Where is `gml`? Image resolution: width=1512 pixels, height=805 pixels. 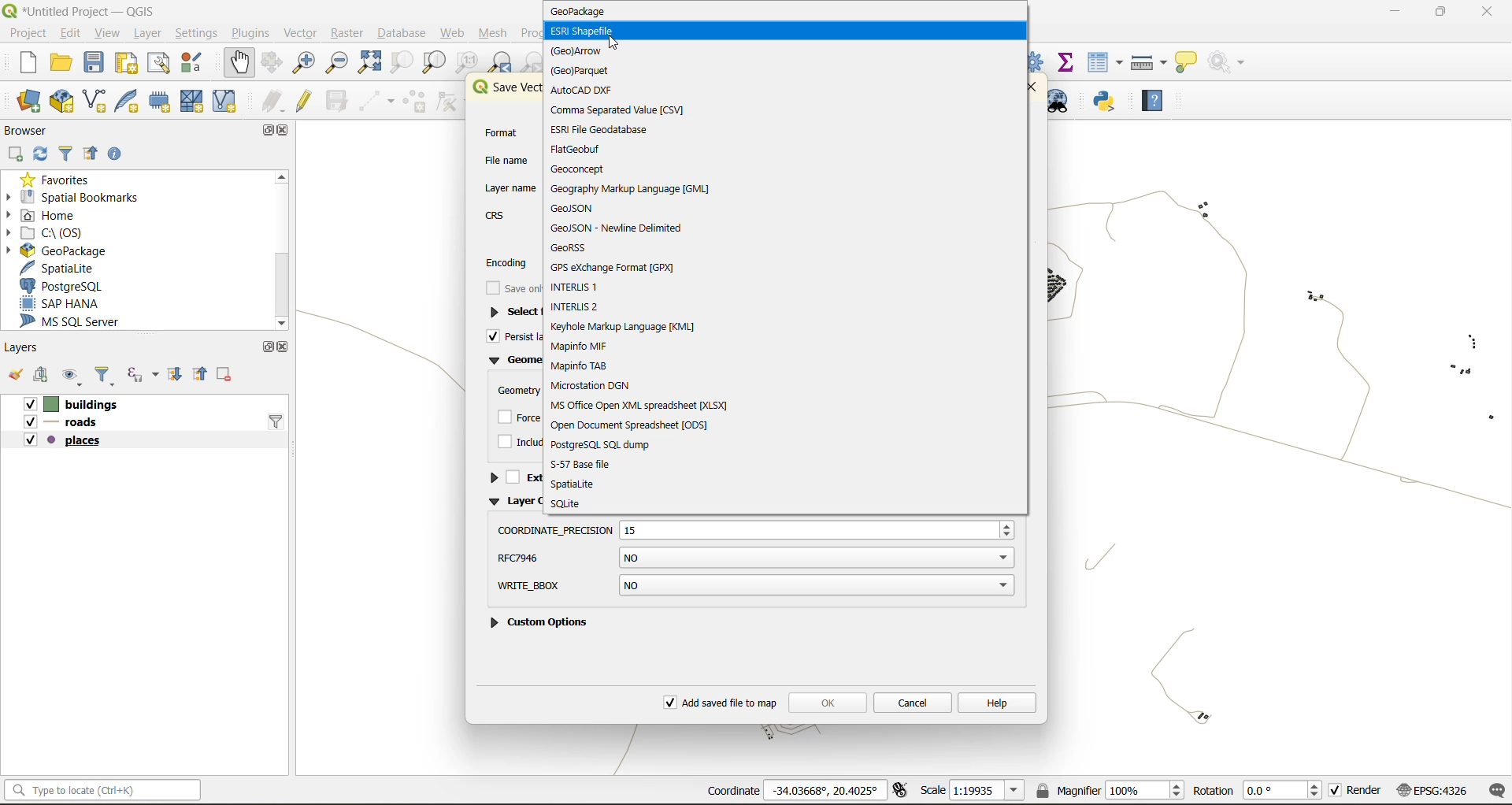
gml is located at coordinates (633, 190).